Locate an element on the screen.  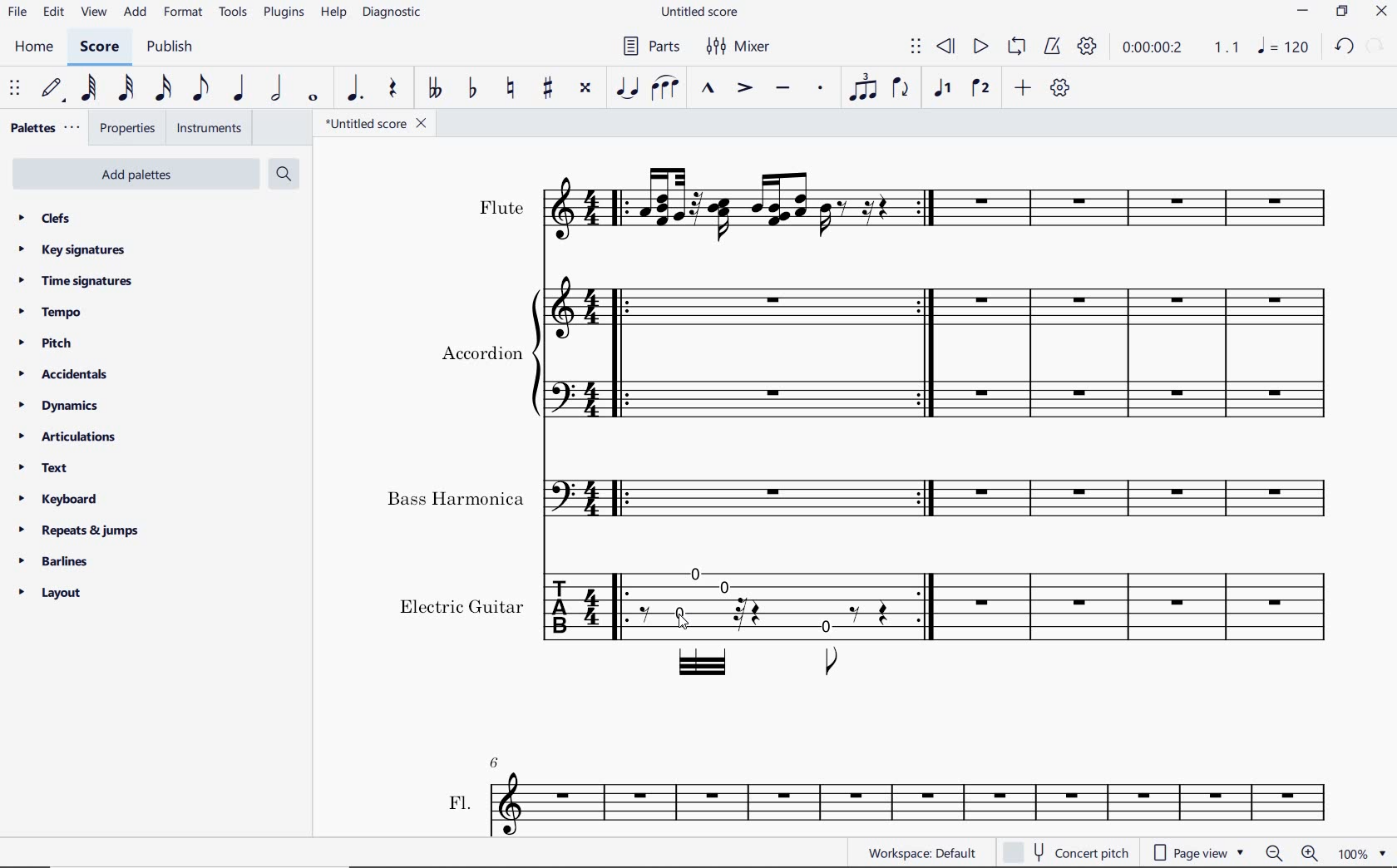
search palettes is located at coordinates (285, 175).